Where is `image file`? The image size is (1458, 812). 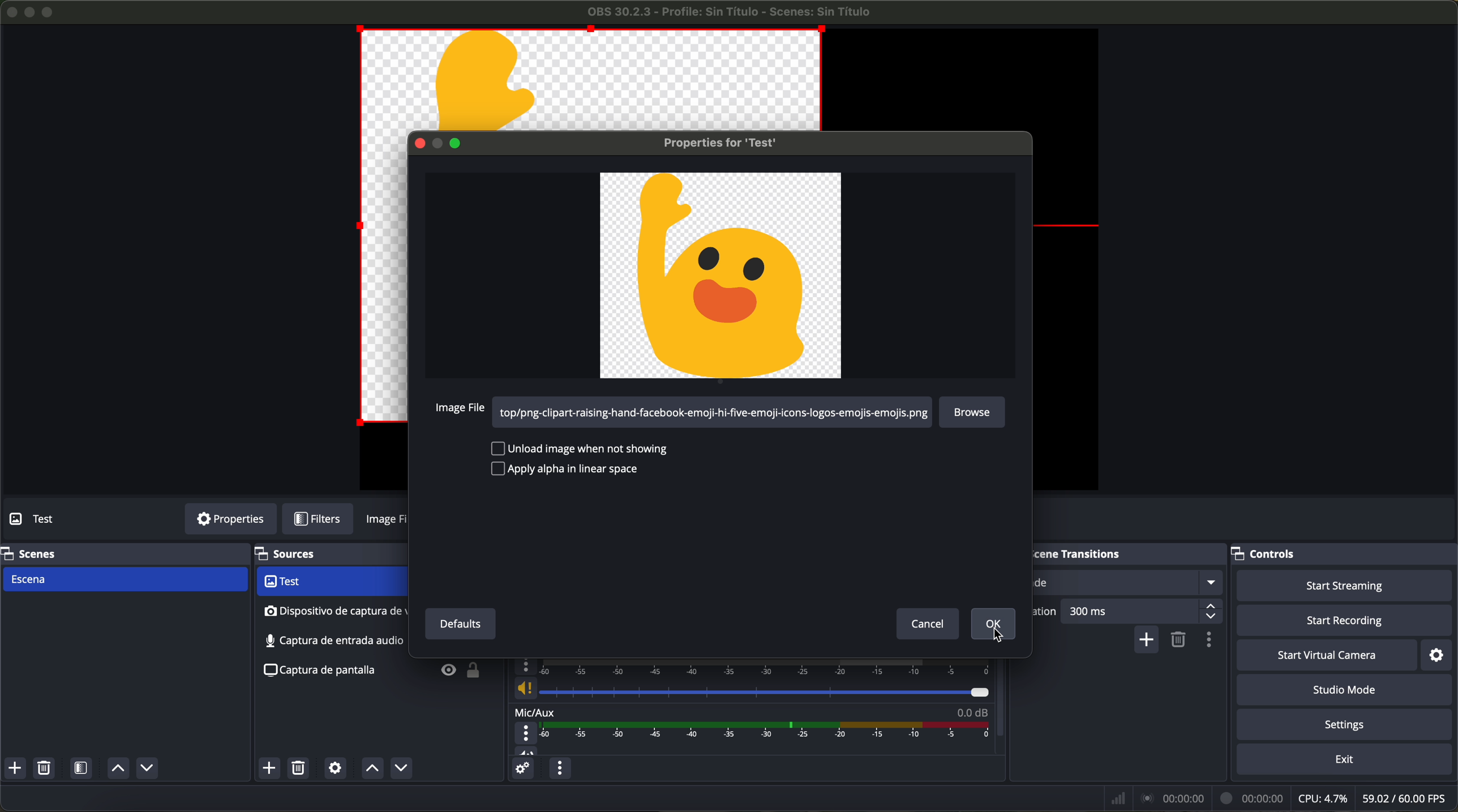
image file is located at coordinates (460, 410).